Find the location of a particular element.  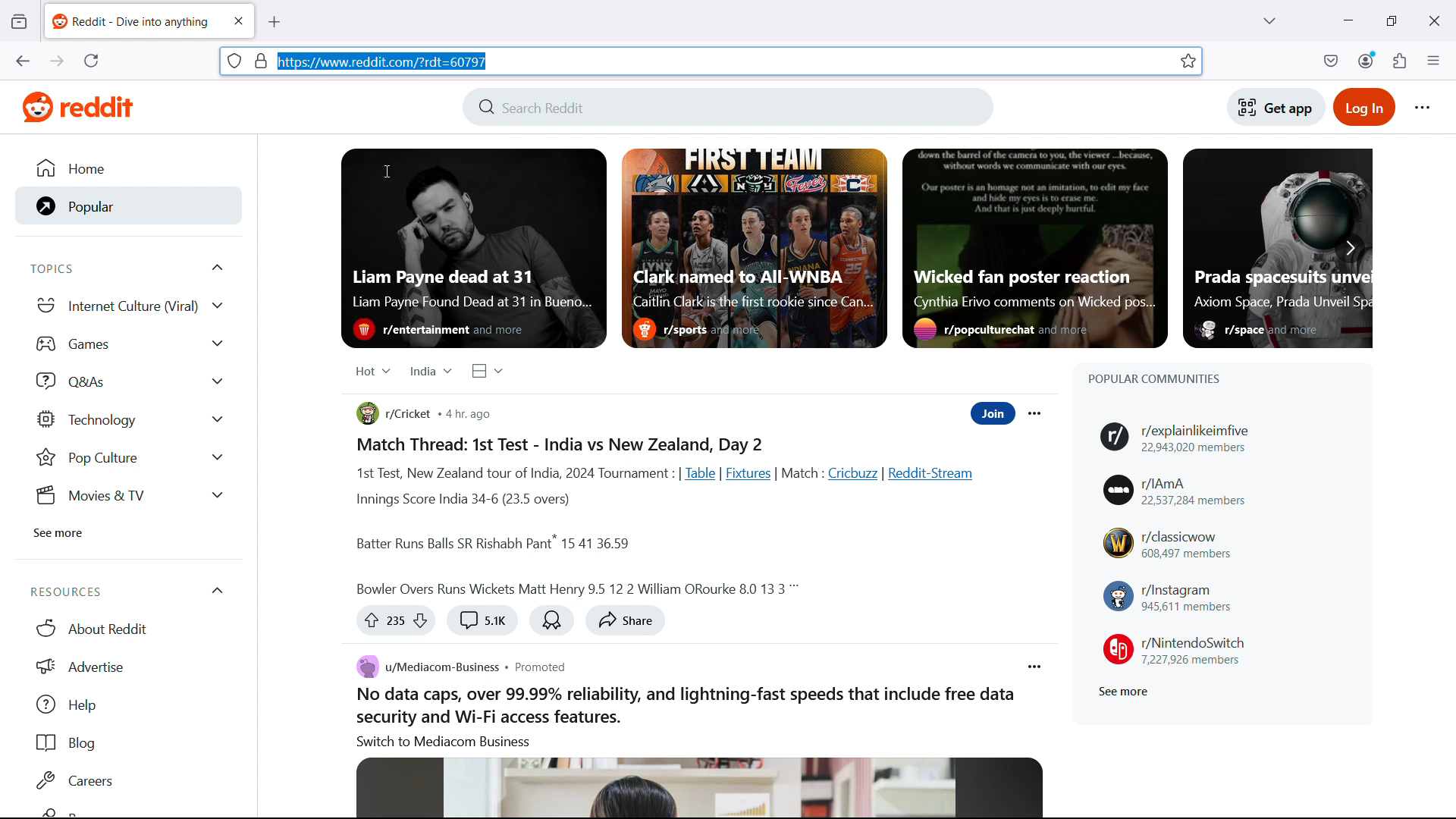

Topics is located at coordinates (131, 268).